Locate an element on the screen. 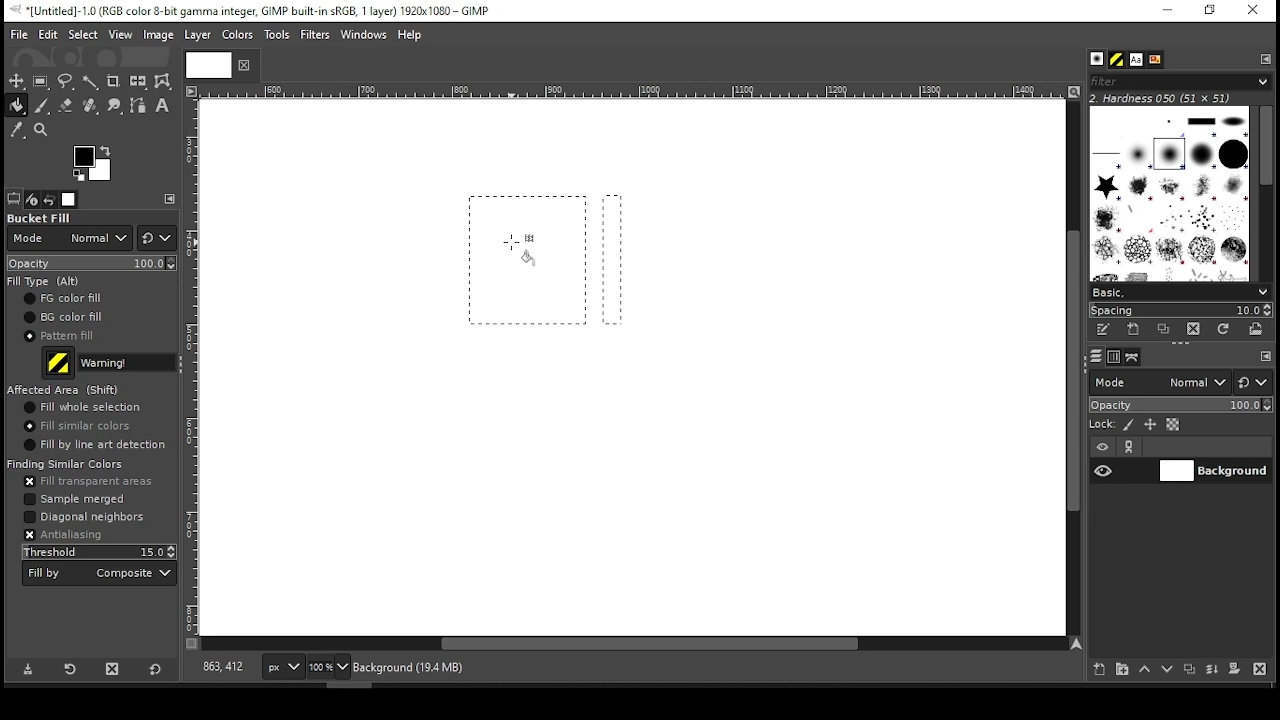 Image resolution: width=1280 pixels, height=720 pixels. heal tool is located at coordinates (92, 107).